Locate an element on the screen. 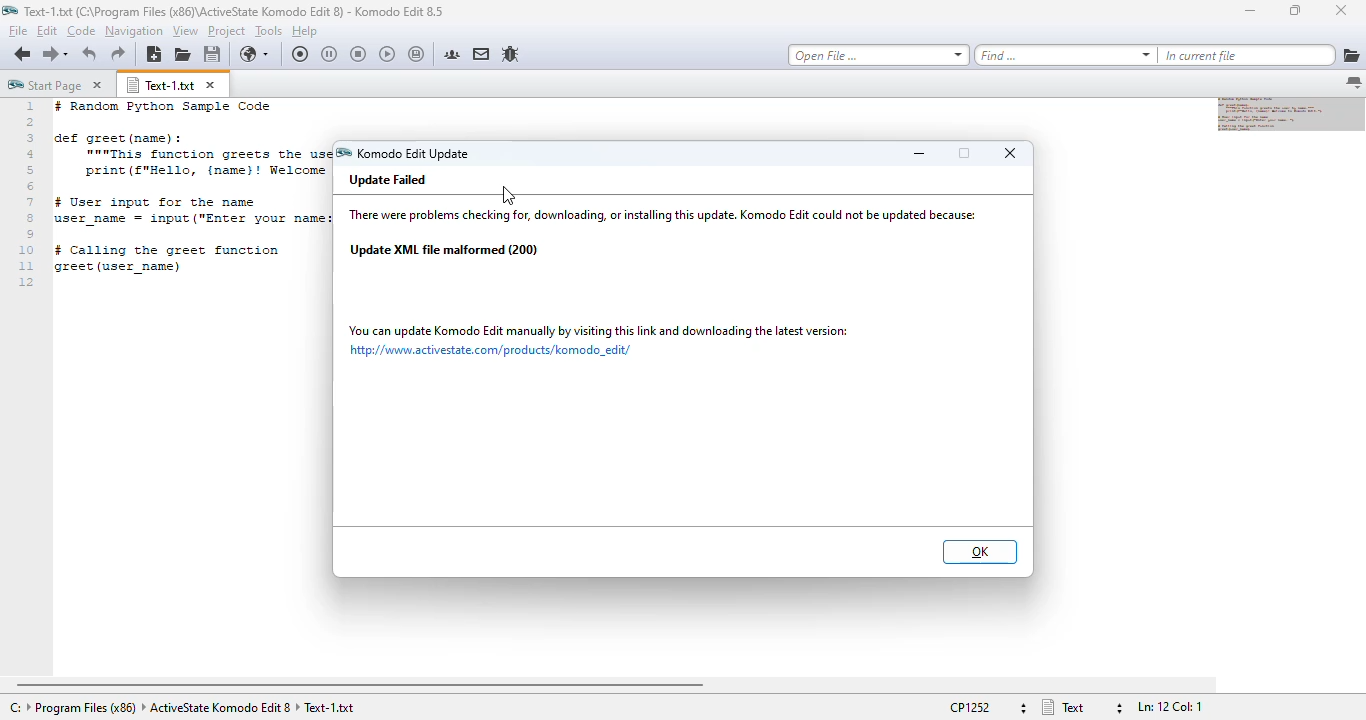 The image size is (1366, 720). horizontal scroll bar is located at coordinates (361, 685).